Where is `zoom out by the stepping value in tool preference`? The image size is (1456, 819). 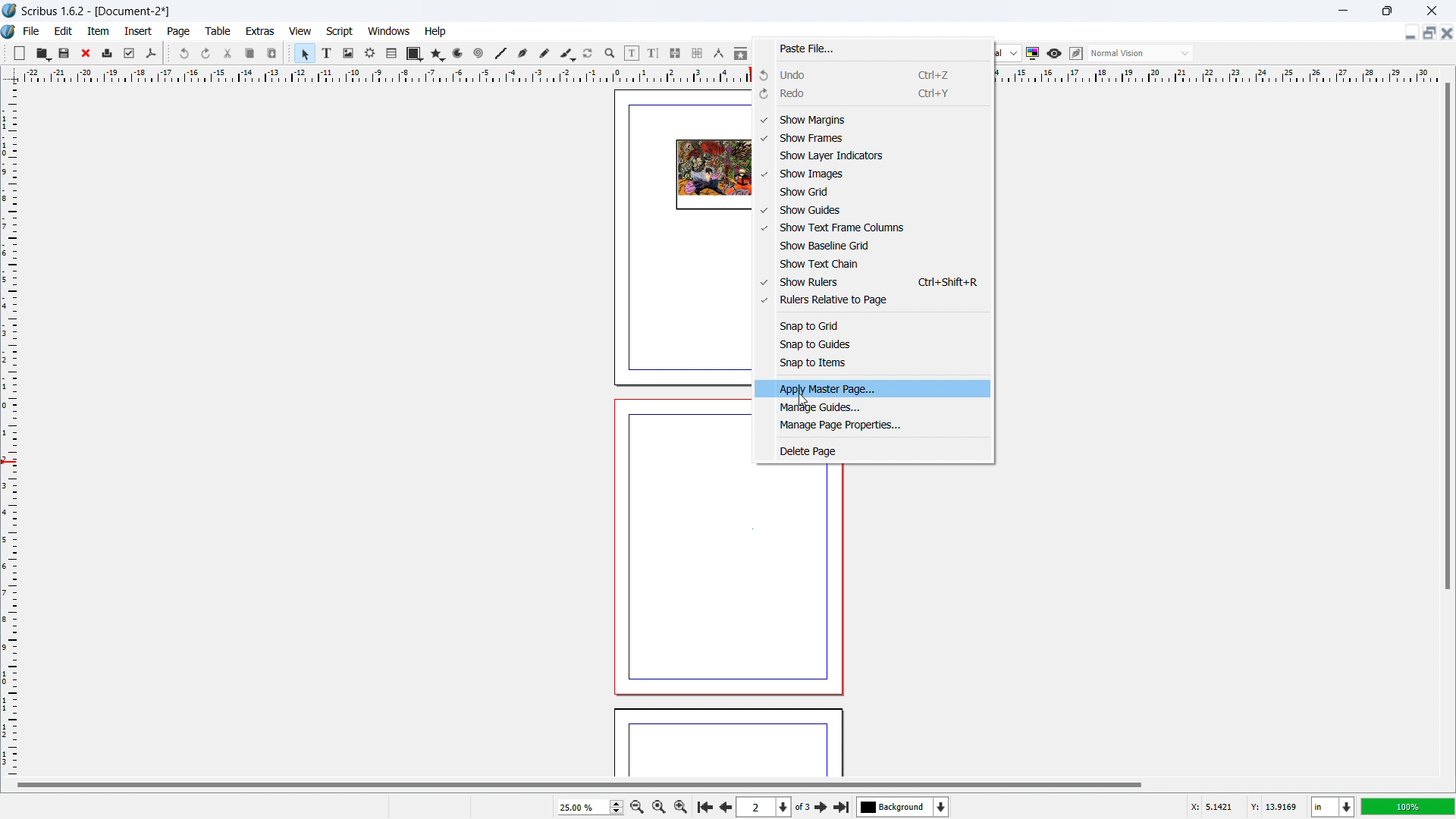
zoom out by the stepping value in tool preference is located at coordinates (636, 806).